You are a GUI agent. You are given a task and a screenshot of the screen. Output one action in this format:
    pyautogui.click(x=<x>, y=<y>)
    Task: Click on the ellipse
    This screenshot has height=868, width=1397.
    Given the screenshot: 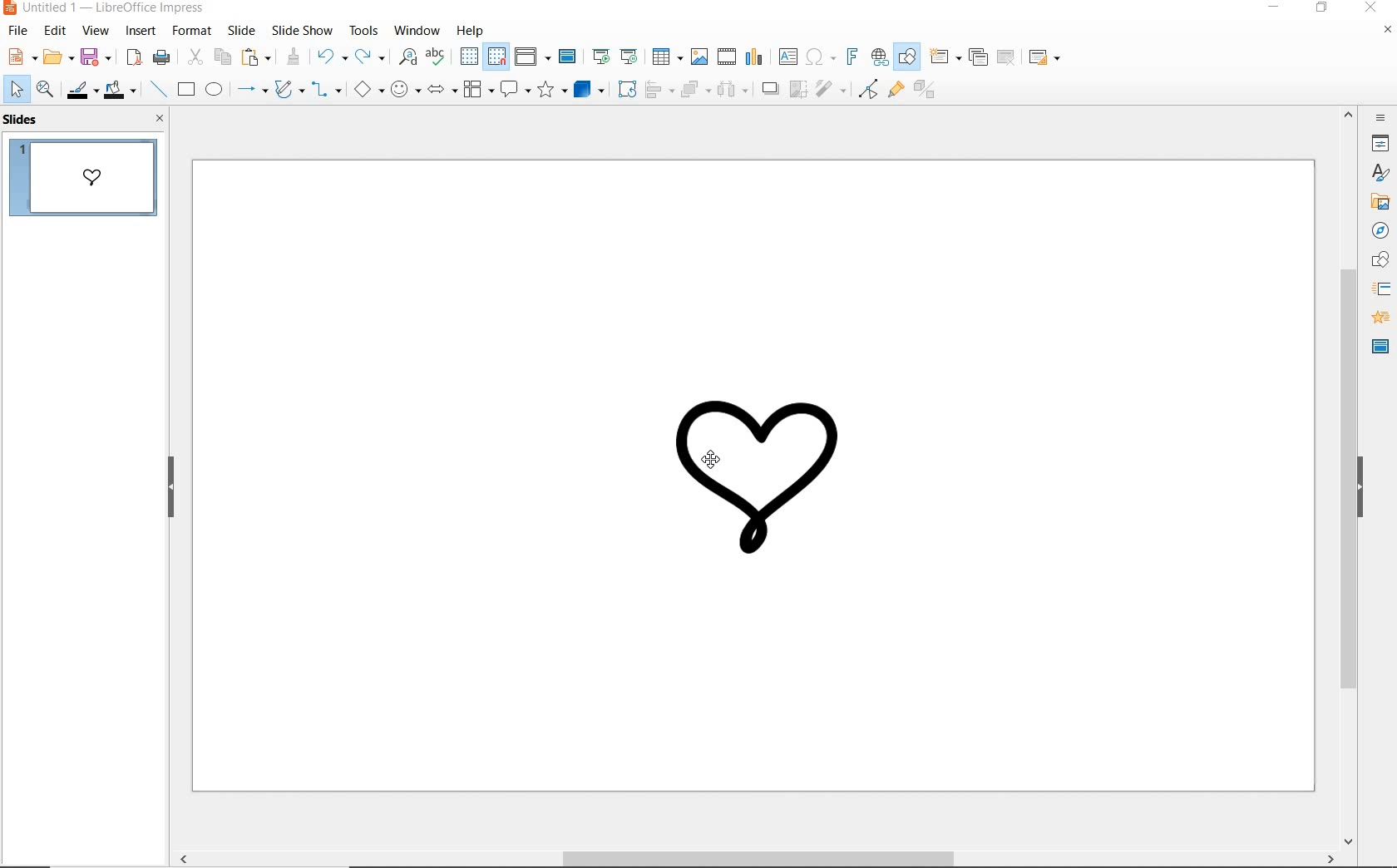 What is the action you would take?
    pyautogui.click(x=215, y=90)
    